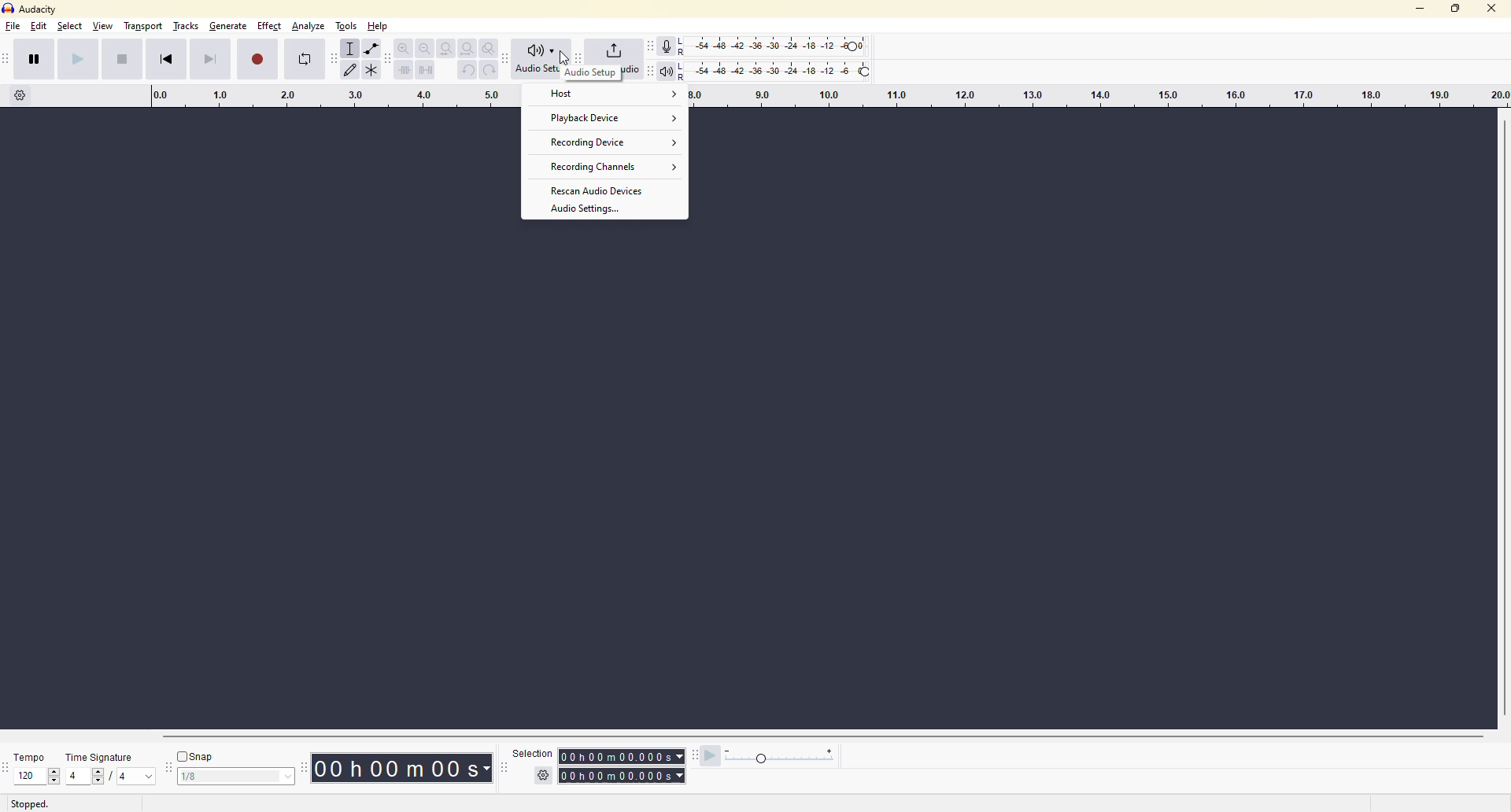 This screenshot has width=1511, height=812. Describe the element at coordinates (403, 46) in the screenshot. I see `zoom in` at that location.